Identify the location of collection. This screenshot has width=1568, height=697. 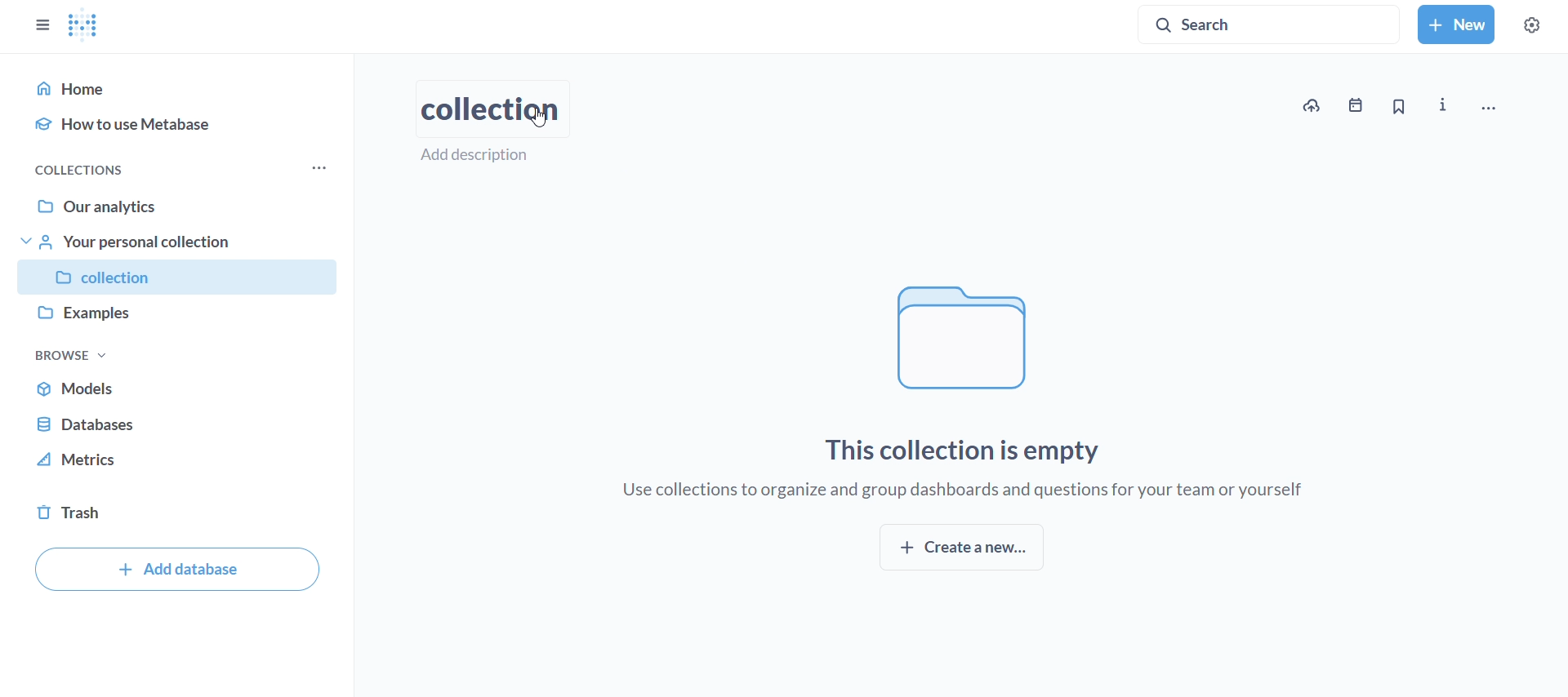
(491, 108).